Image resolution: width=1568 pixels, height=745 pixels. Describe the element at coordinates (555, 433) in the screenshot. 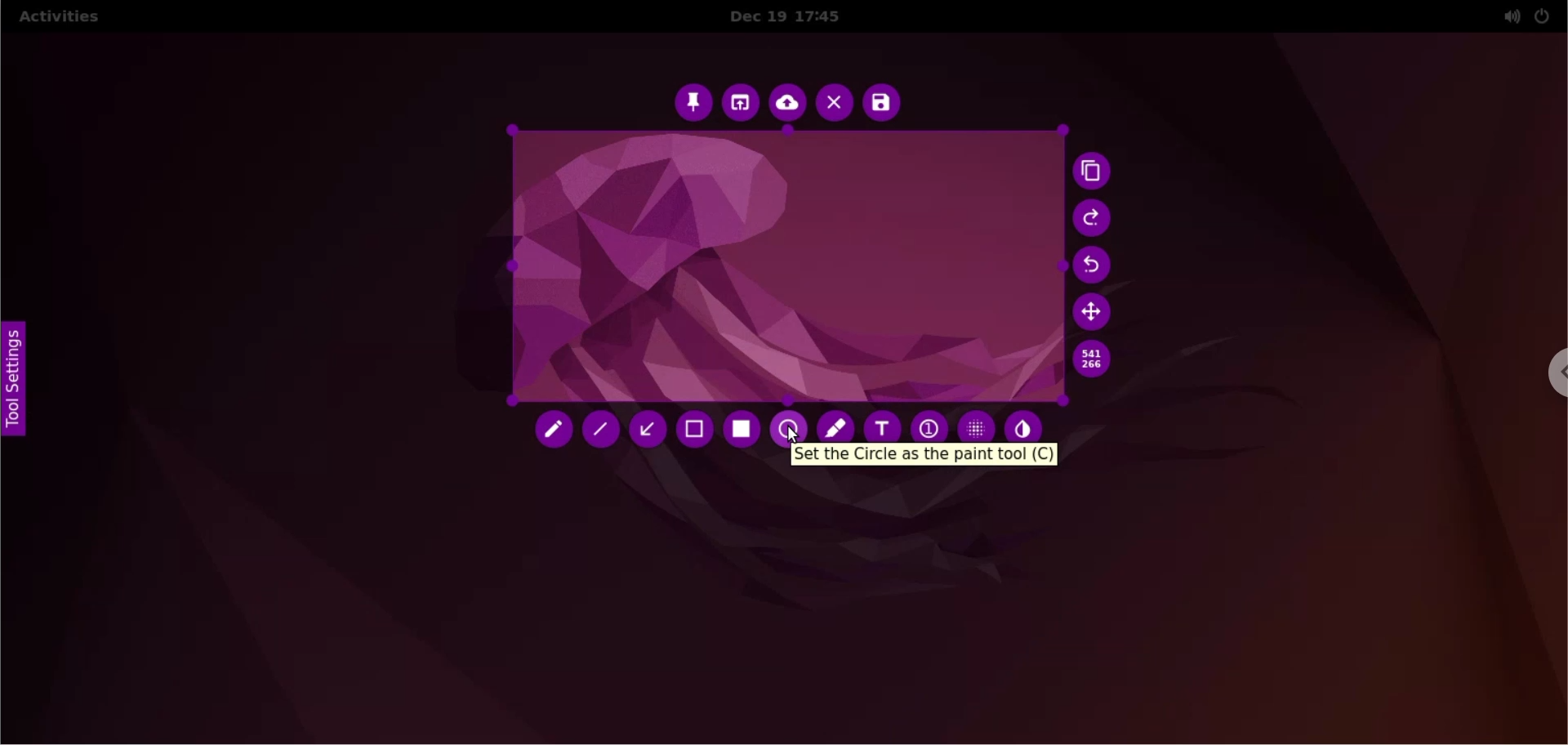

I see `pencil tool` at that location.